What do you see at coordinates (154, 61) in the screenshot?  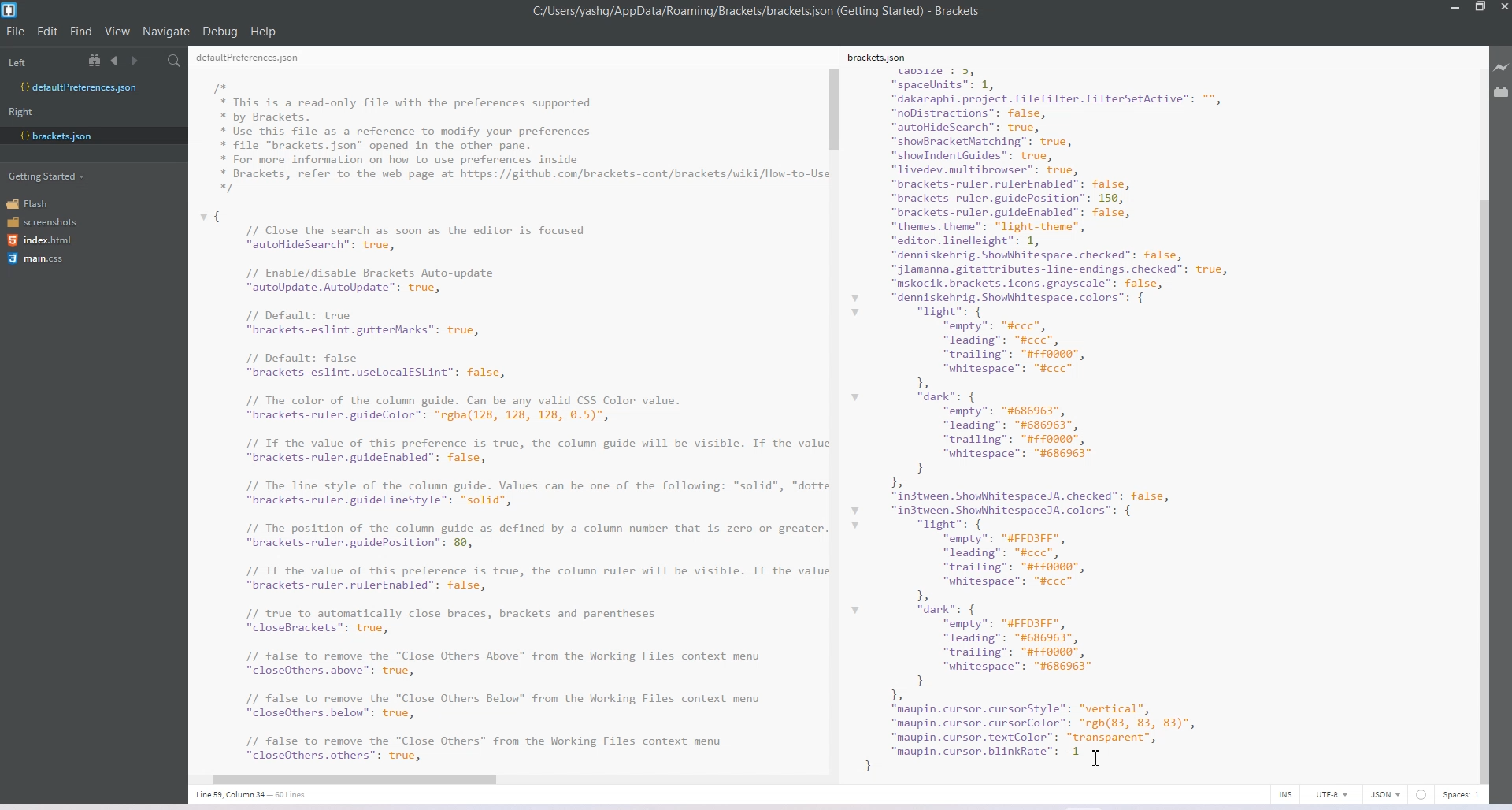 I see `Split editor vertically and Horizontally` at bounding box center [154, 61].